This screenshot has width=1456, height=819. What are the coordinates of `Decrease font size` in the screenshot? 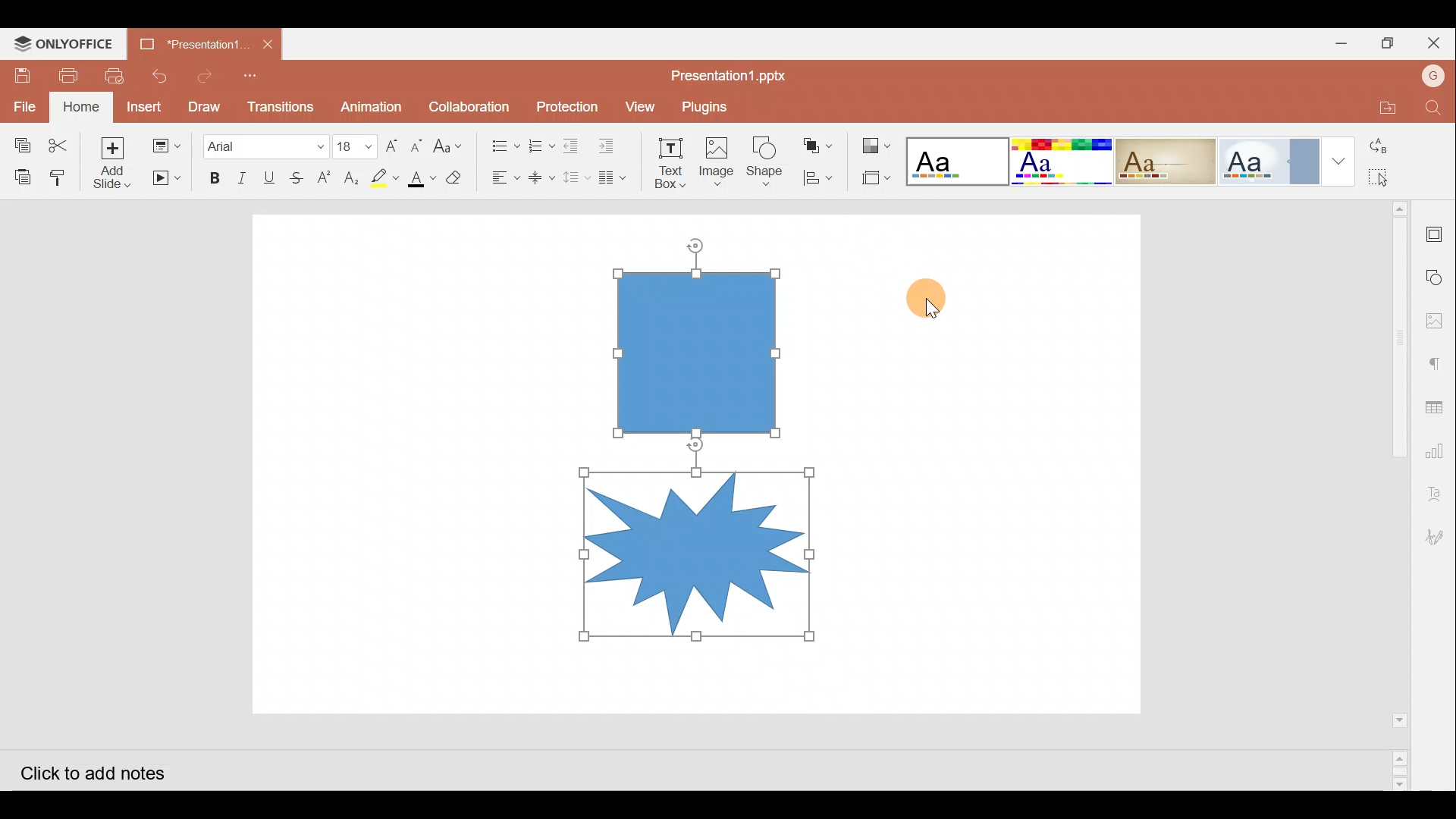 It's located at (419, 143).